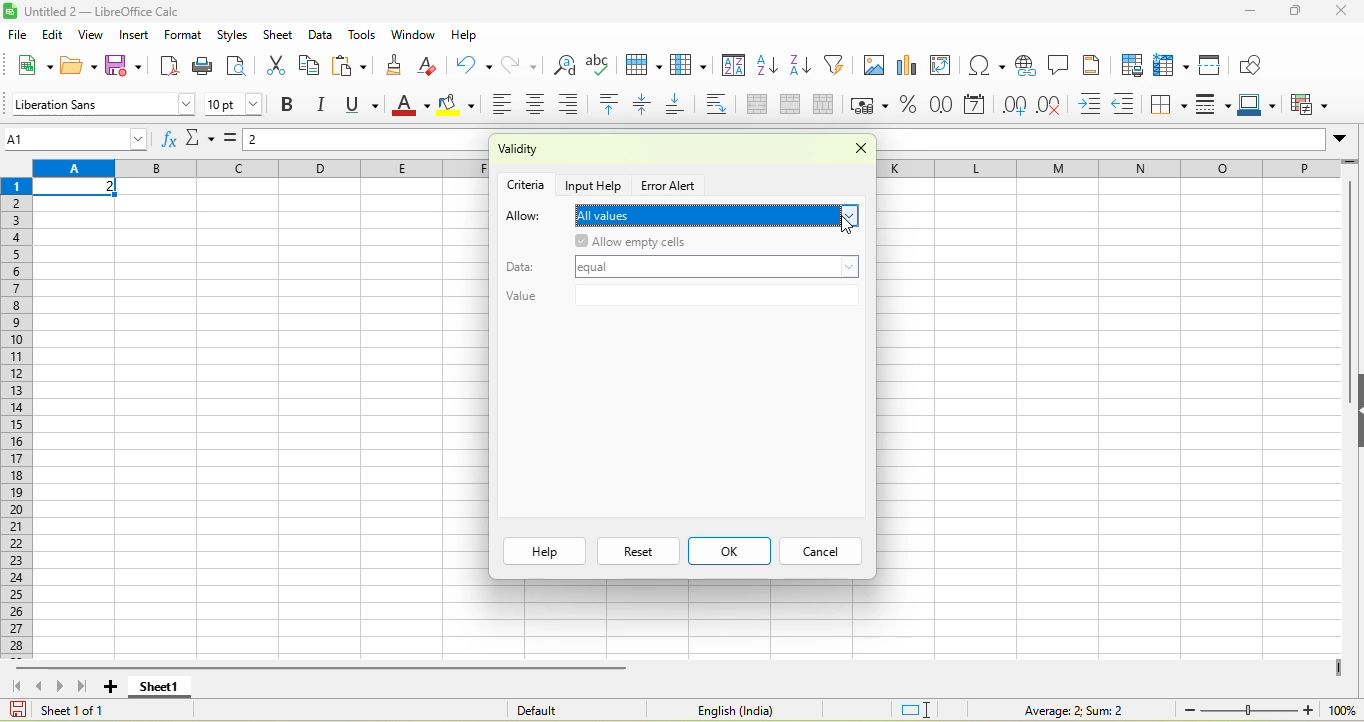 This screenshot has height=722, width=1364. I want to click on minuimize, so click(1249, 12).